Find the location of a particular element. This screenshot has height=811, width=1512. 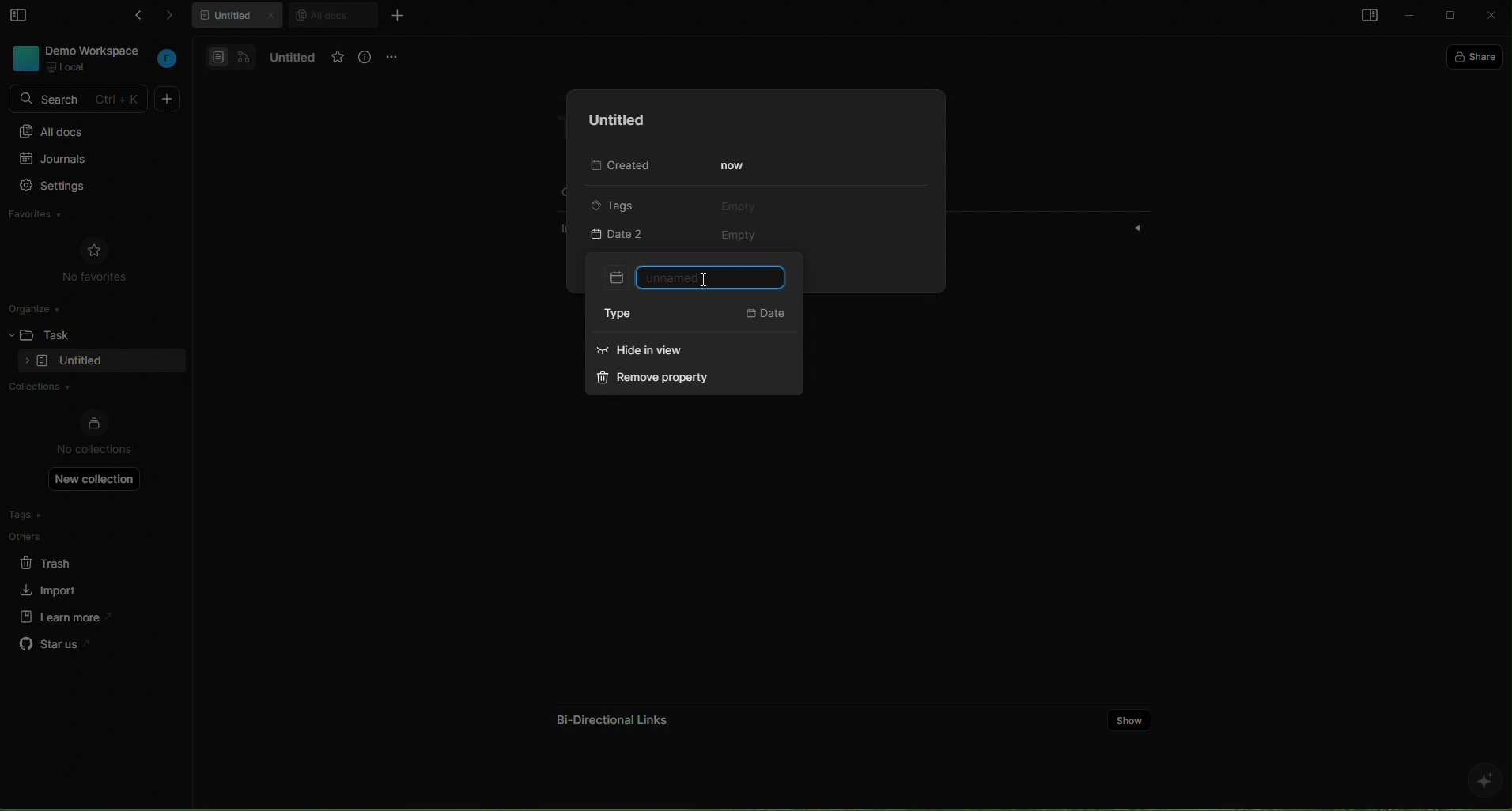

SEARCH is located at coordinates (81, 100).